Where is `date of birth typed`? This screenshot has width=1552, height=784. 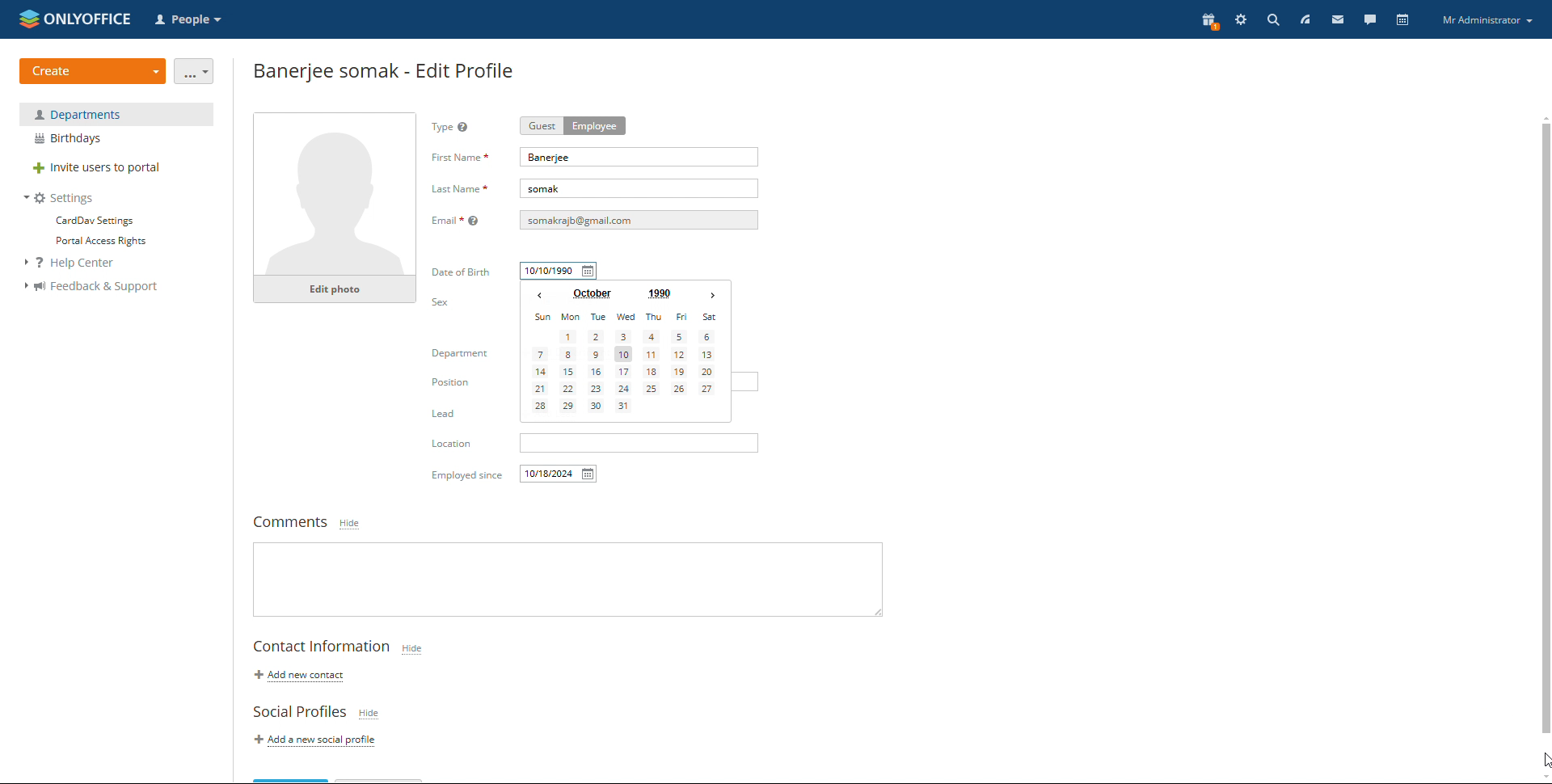
date of birth typed is located at coordinates (548, 272).